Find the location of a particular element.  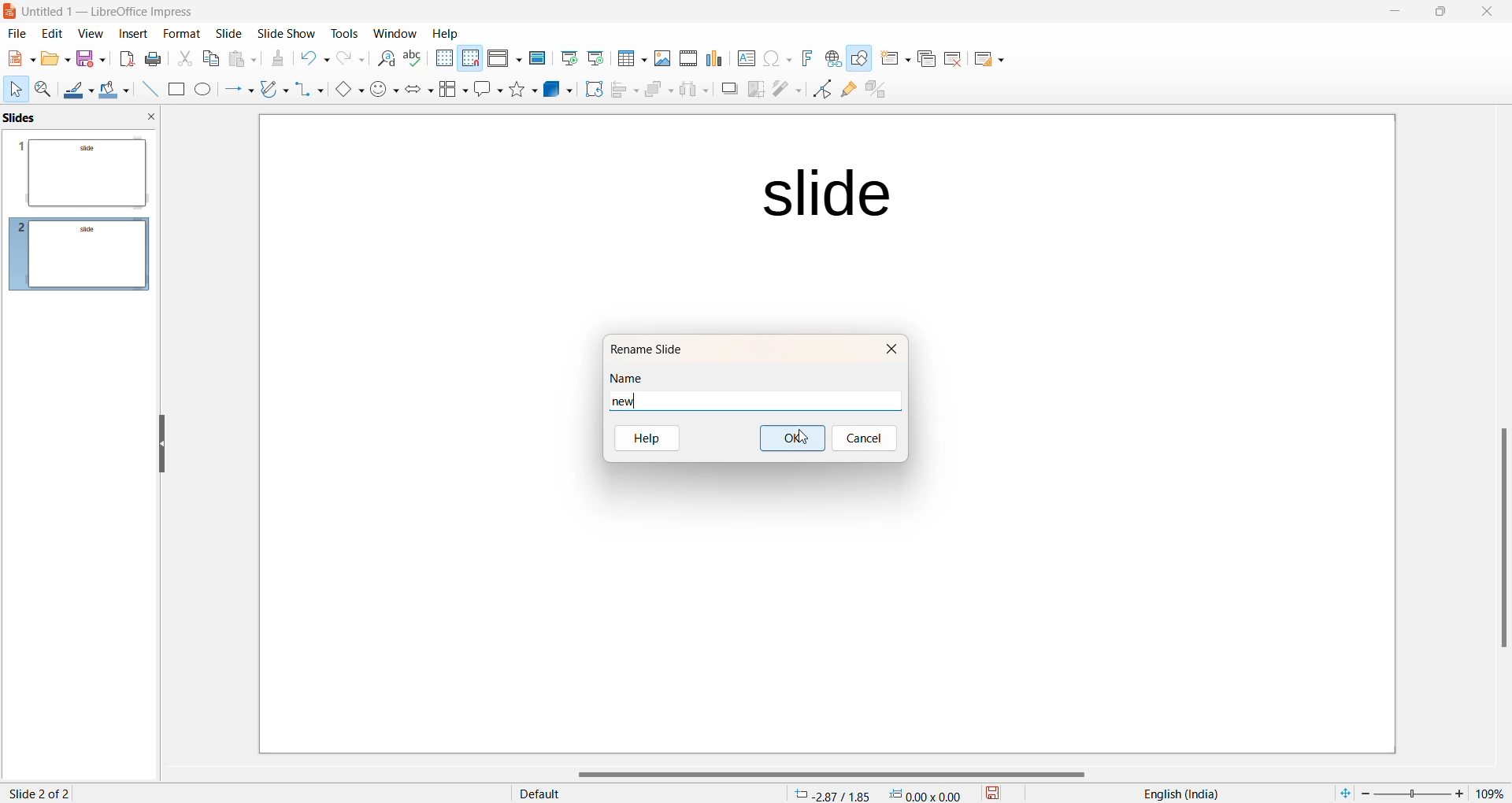

Find and replace is located at coordinates (384, 59).